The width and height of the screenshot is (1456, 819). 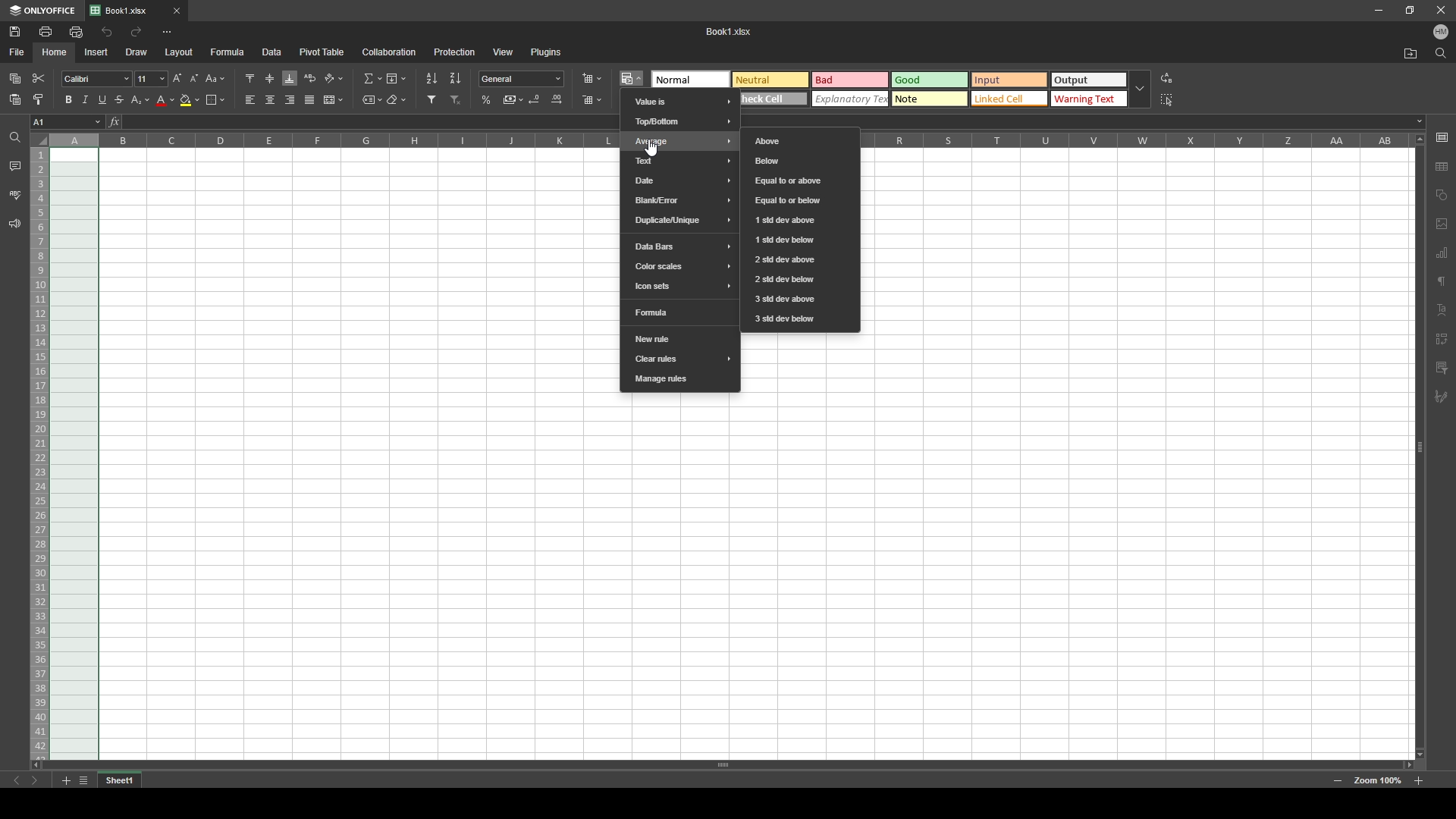 I want to click on remove filter, so click(x=457, y=99).